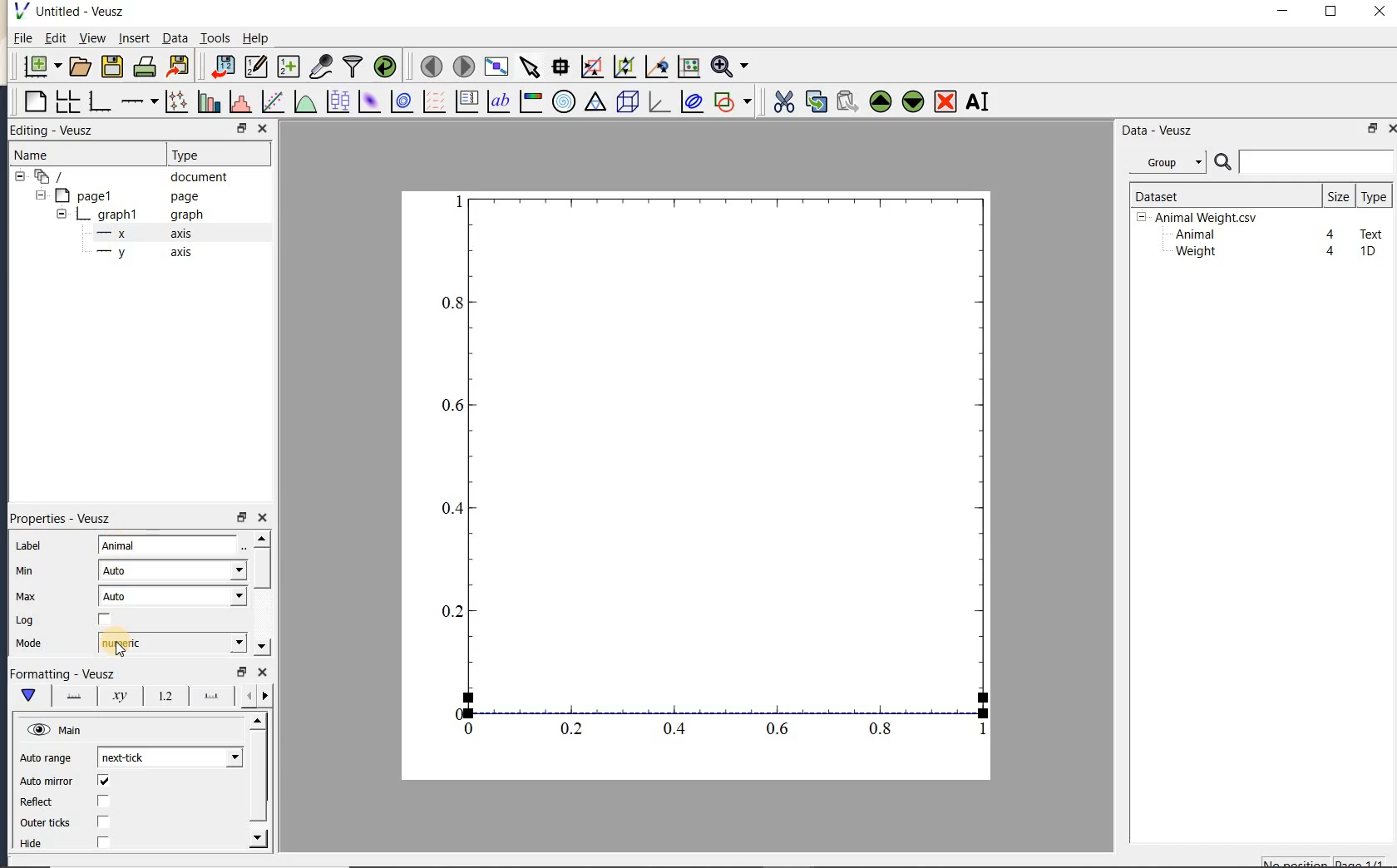 This screenshot has width=1397, height=868. Describe the element at coordinates (240, 672) in the screenshot. I see `restore` at that location.